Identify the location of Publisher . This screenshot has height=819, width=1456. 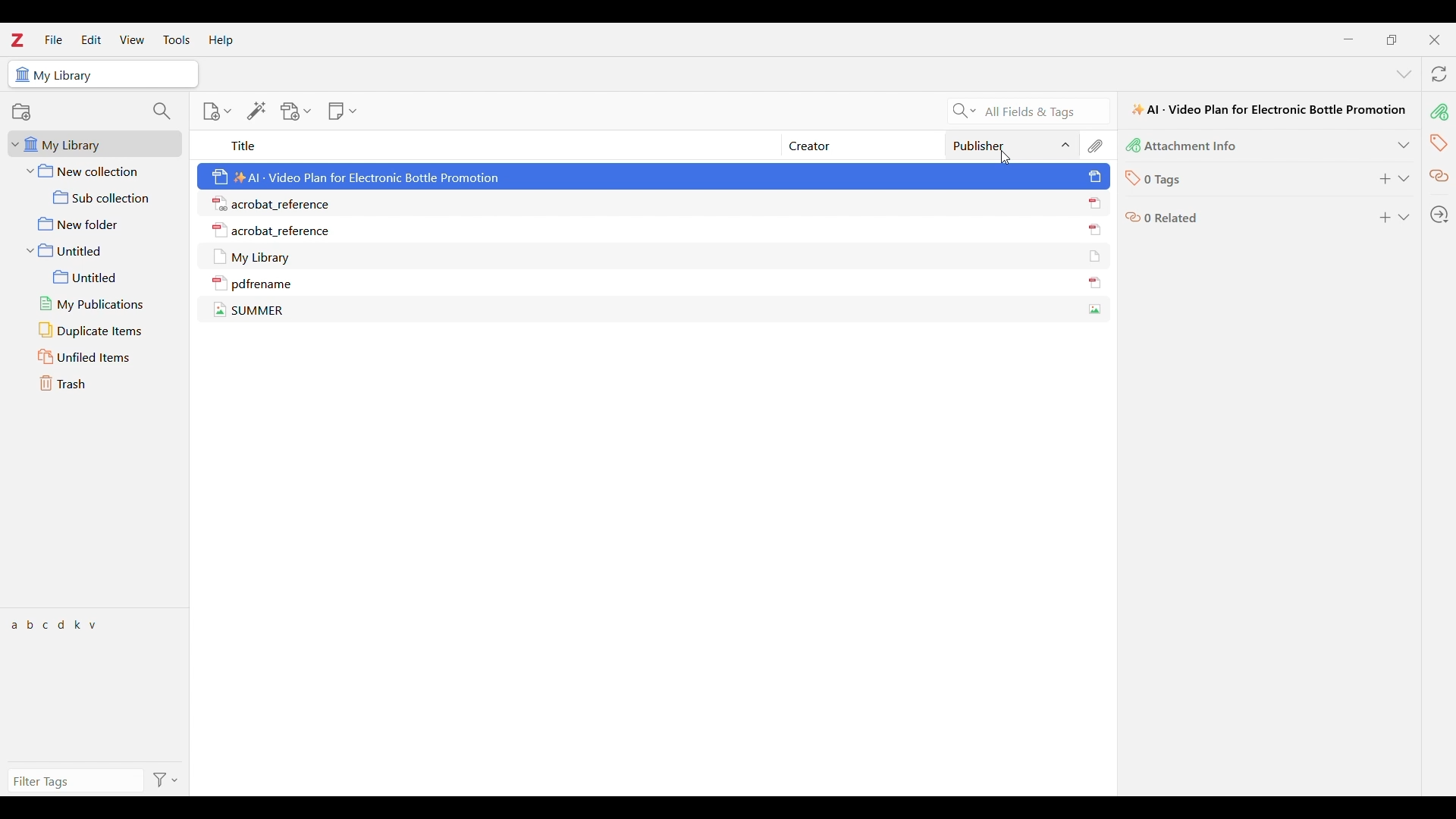
(1012, 145).